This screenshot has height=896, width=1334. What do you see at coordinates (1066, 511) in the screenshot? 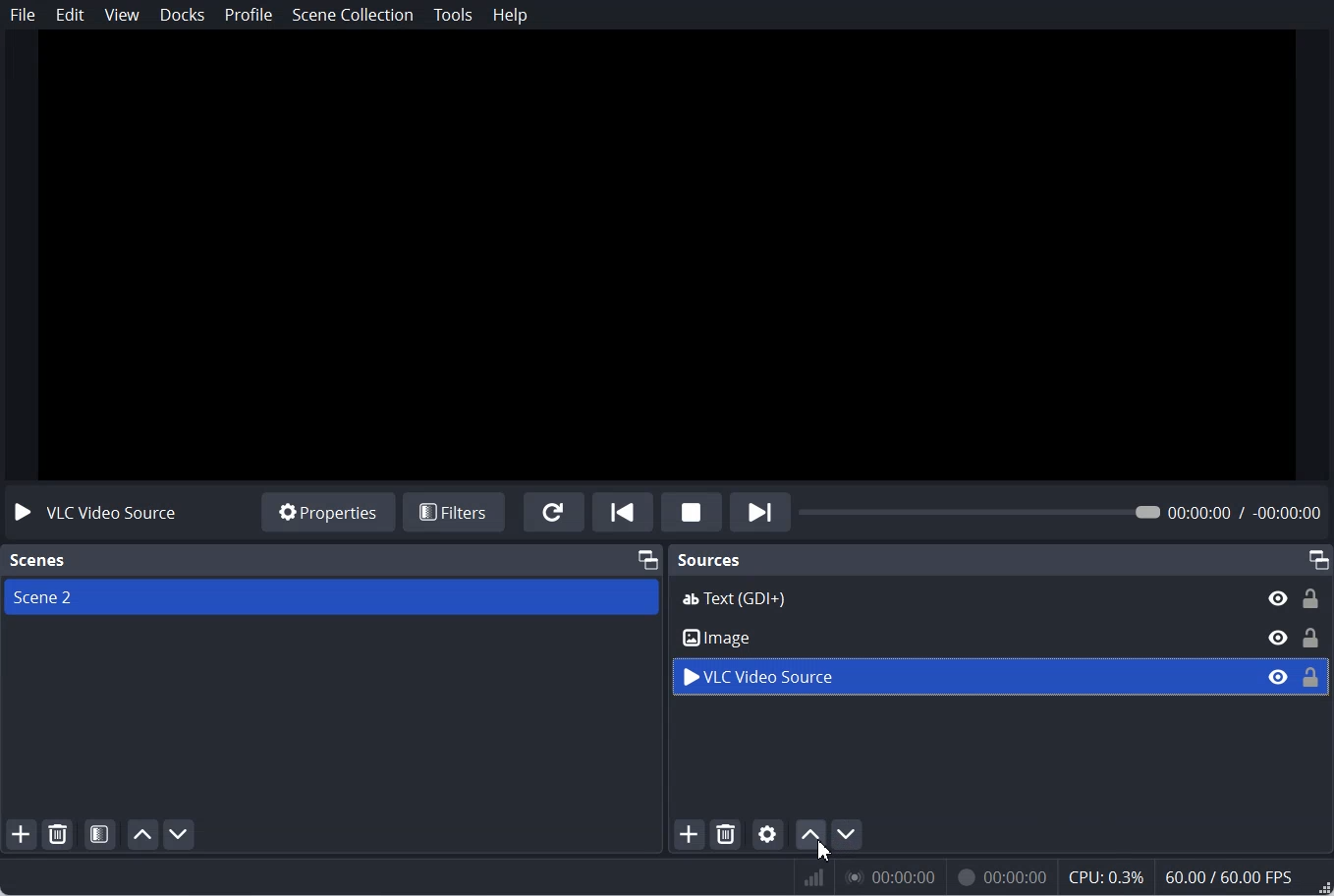
I see `Time Adjuster` at bounding box center [1066, 511].